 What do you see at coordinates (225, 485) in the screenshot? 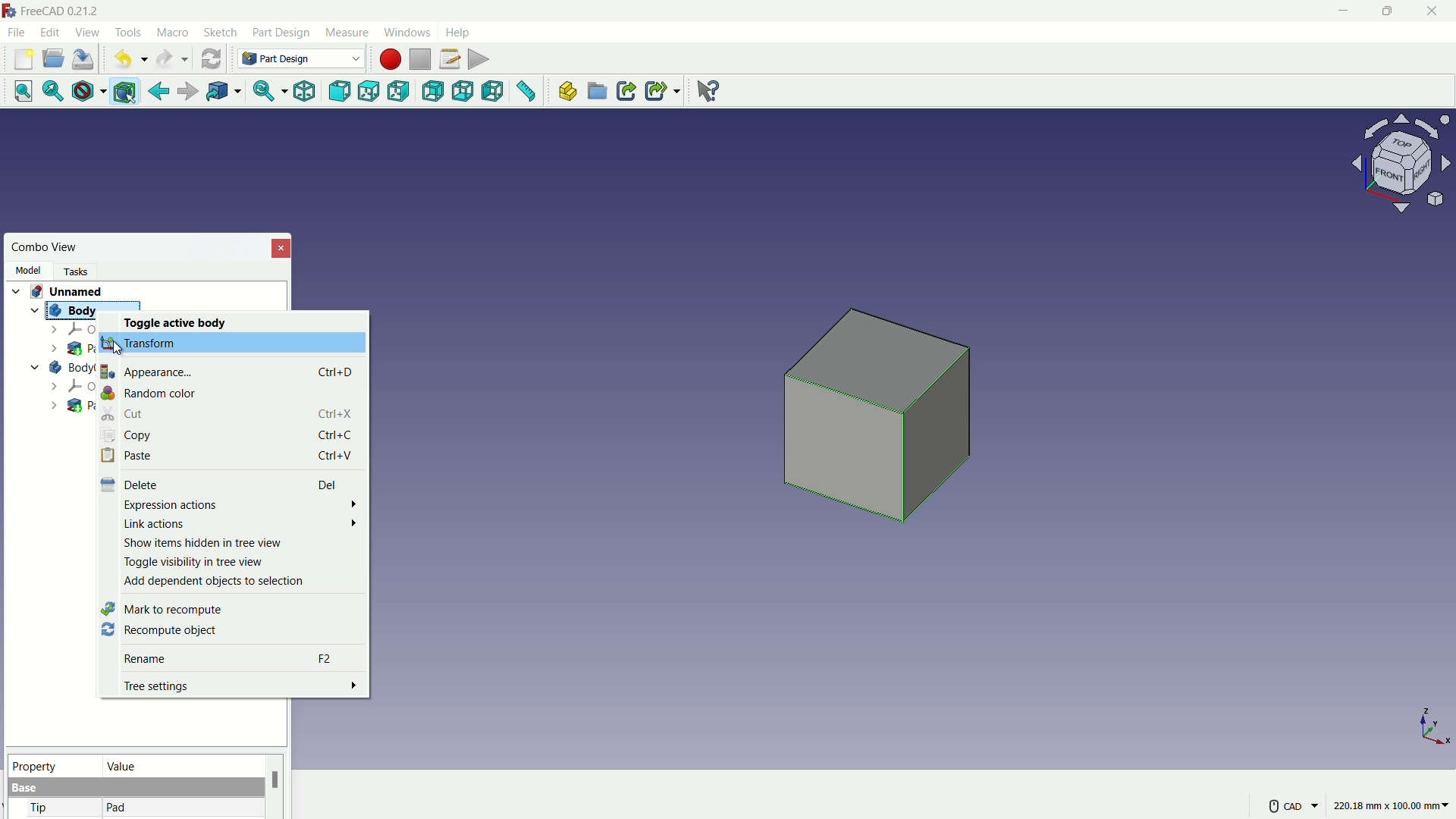
I see `Delete Del` at bounding box center [225, 485].